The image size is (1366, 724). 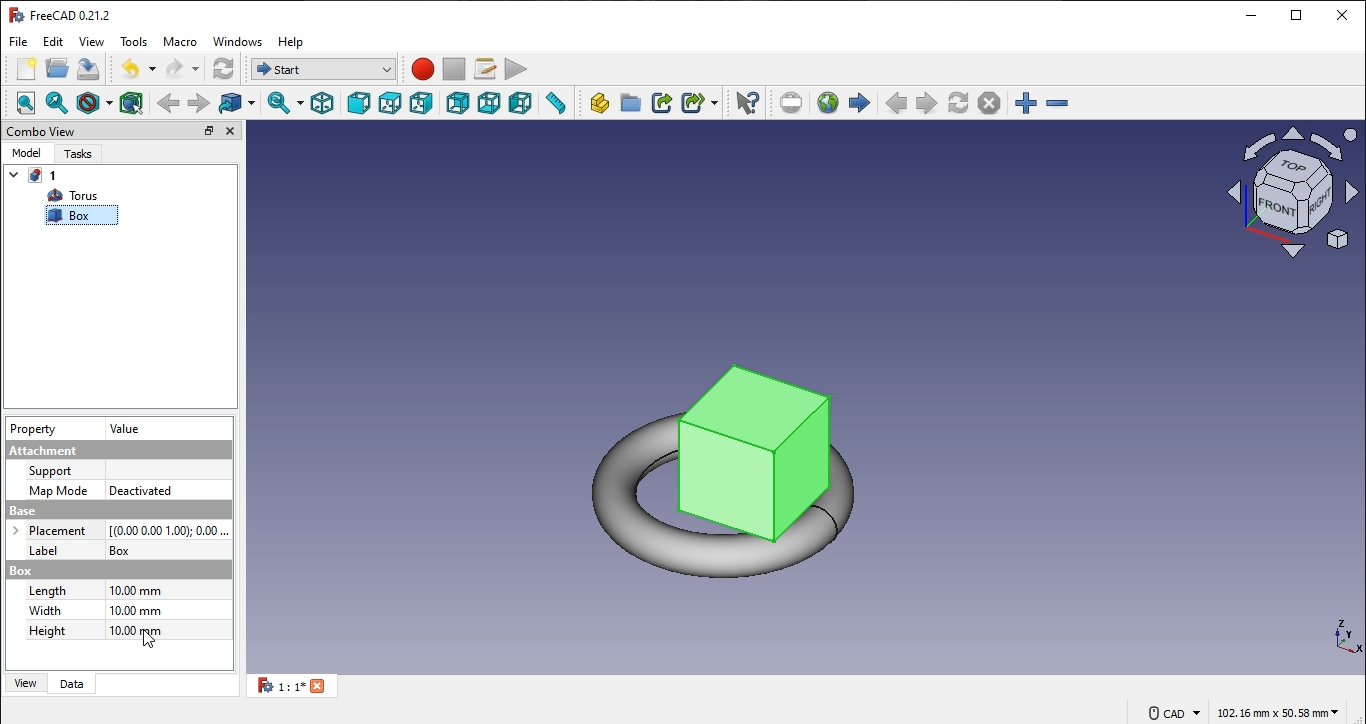 What do you see at coordinates (293, 42) in the screenshot?
I see `help` at bounding box center [293, 42].